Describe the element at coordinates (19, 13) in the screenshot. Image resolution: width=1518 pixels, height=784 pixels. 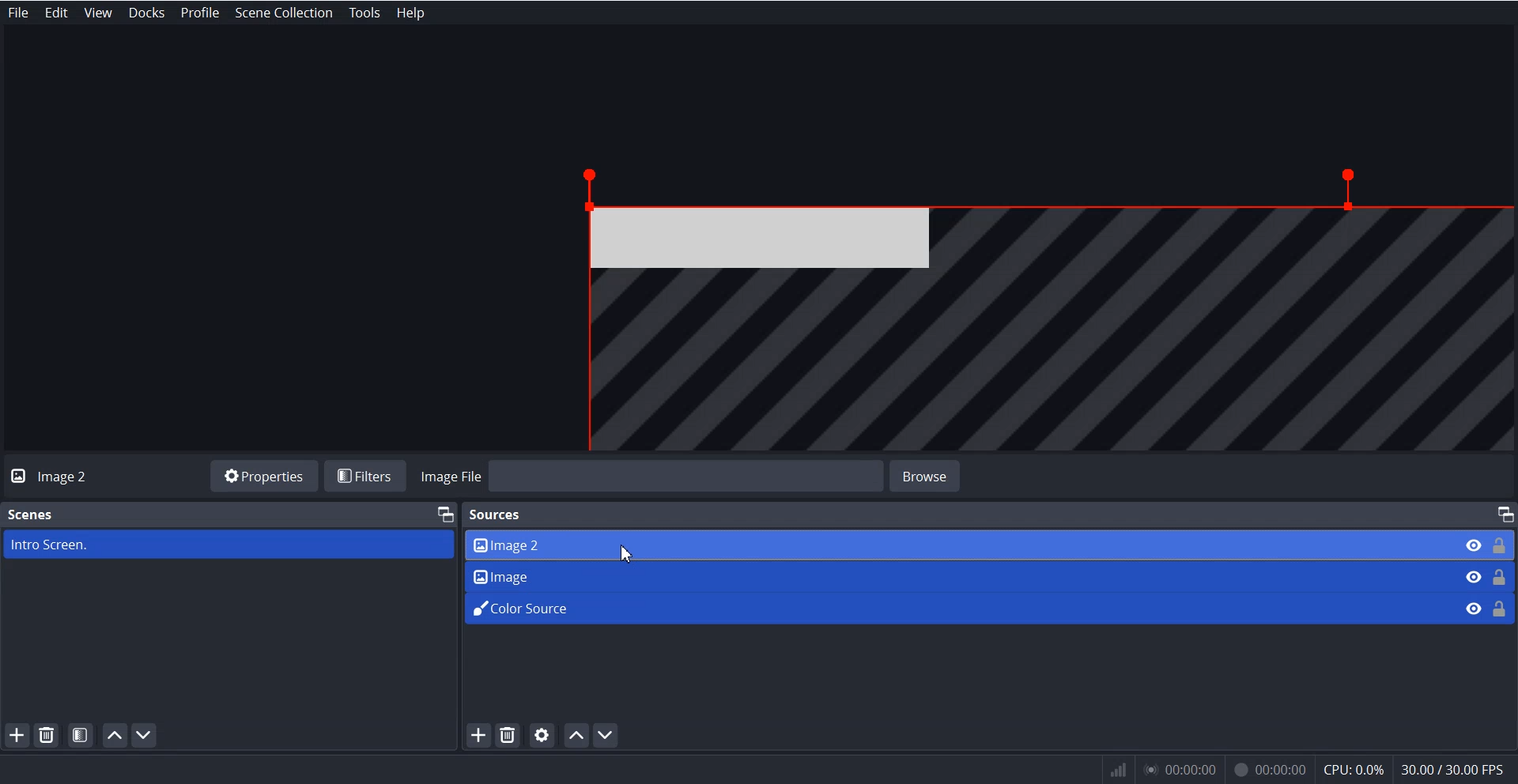
I see `File` at that location.